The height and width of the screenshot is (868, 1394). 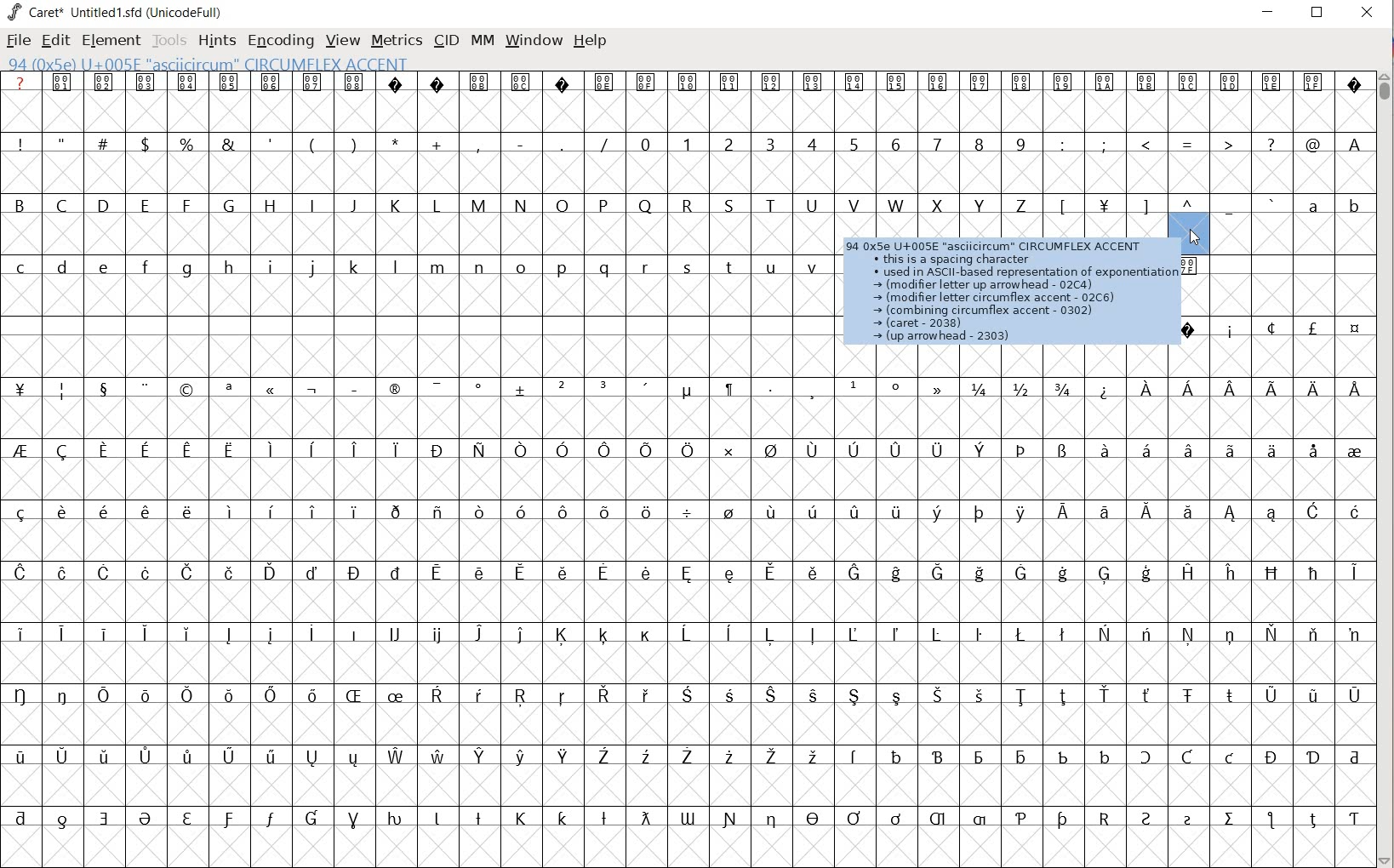 What do you see at coordinates (1109, 132) in the screenshot?
I see `glyph characters` at bounding box center [1109, 132].